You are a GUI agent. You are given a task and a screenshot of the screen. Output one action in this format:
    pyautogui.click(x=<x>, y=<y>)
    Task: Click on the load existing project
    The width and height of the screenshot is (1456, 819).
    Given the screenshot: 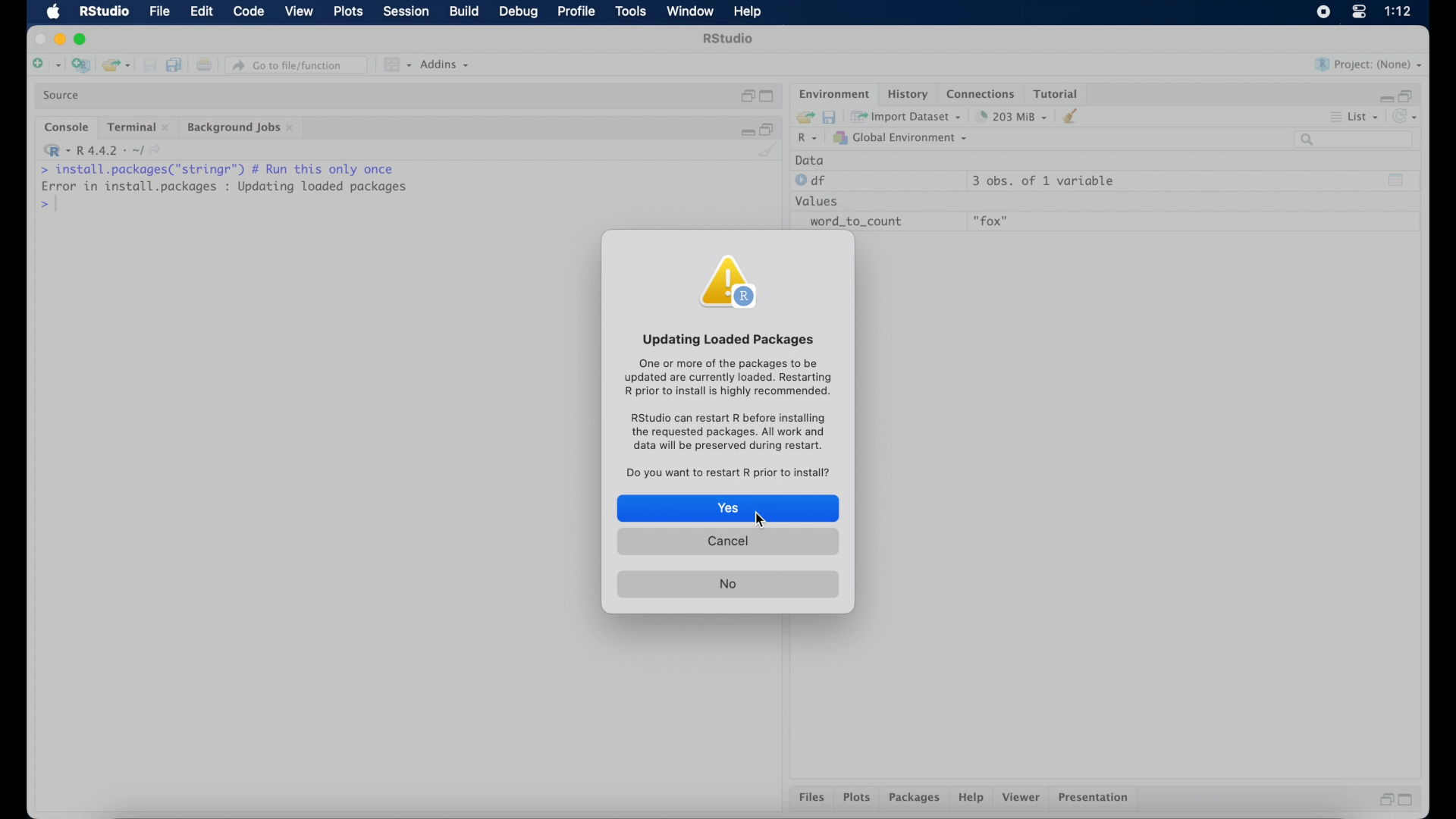 What is the action you would take?
    pyautogui.click(x=119, y=66)
    